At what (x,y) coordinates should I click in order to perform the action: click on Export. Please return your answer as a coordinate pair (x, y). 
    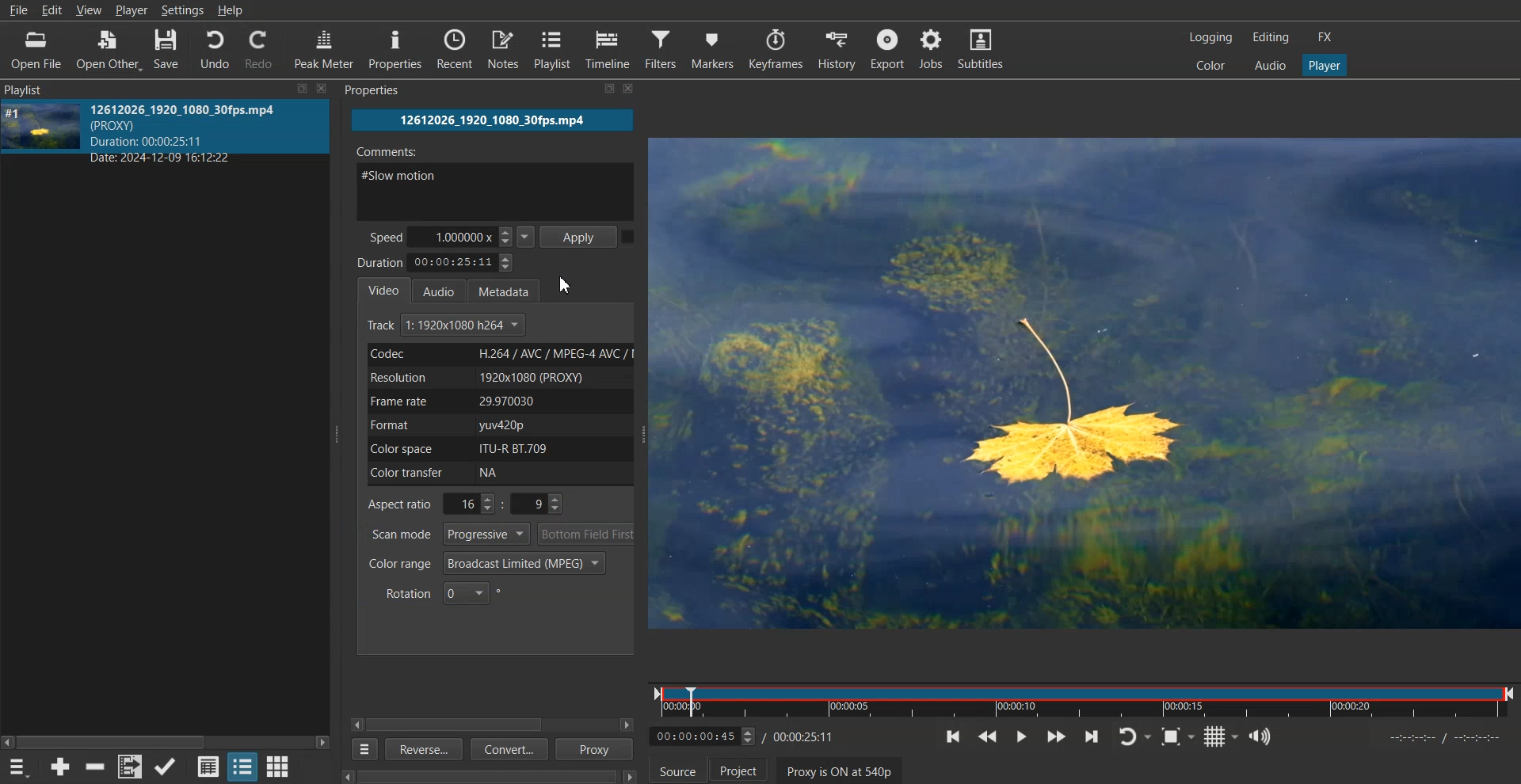
    Looking at the image, I should click on (886, 48).